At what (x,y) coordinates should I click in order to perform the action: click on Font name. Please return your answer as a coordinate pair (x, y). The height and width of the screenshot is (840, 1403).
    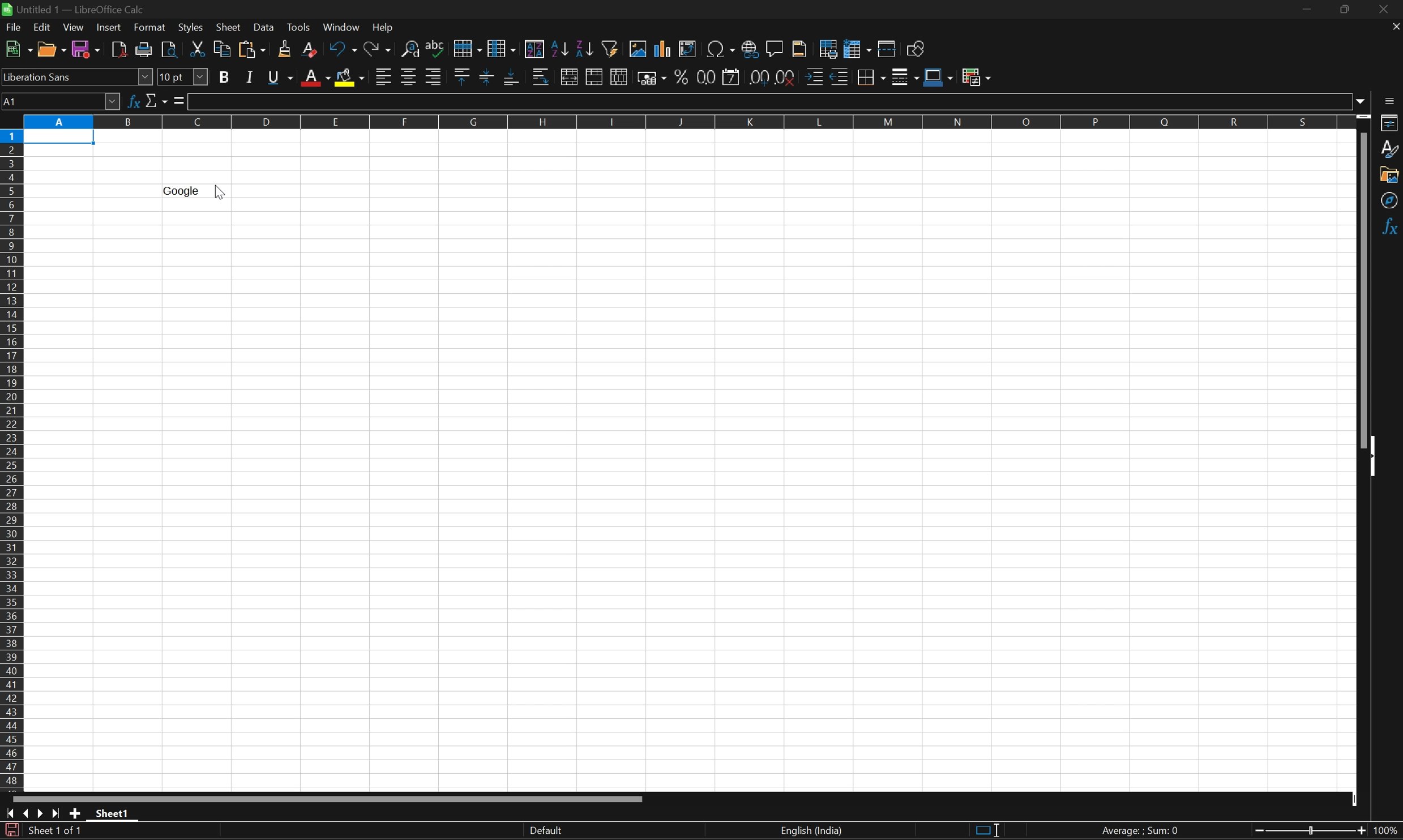
    Looking at the image, I should click on (77, 79).